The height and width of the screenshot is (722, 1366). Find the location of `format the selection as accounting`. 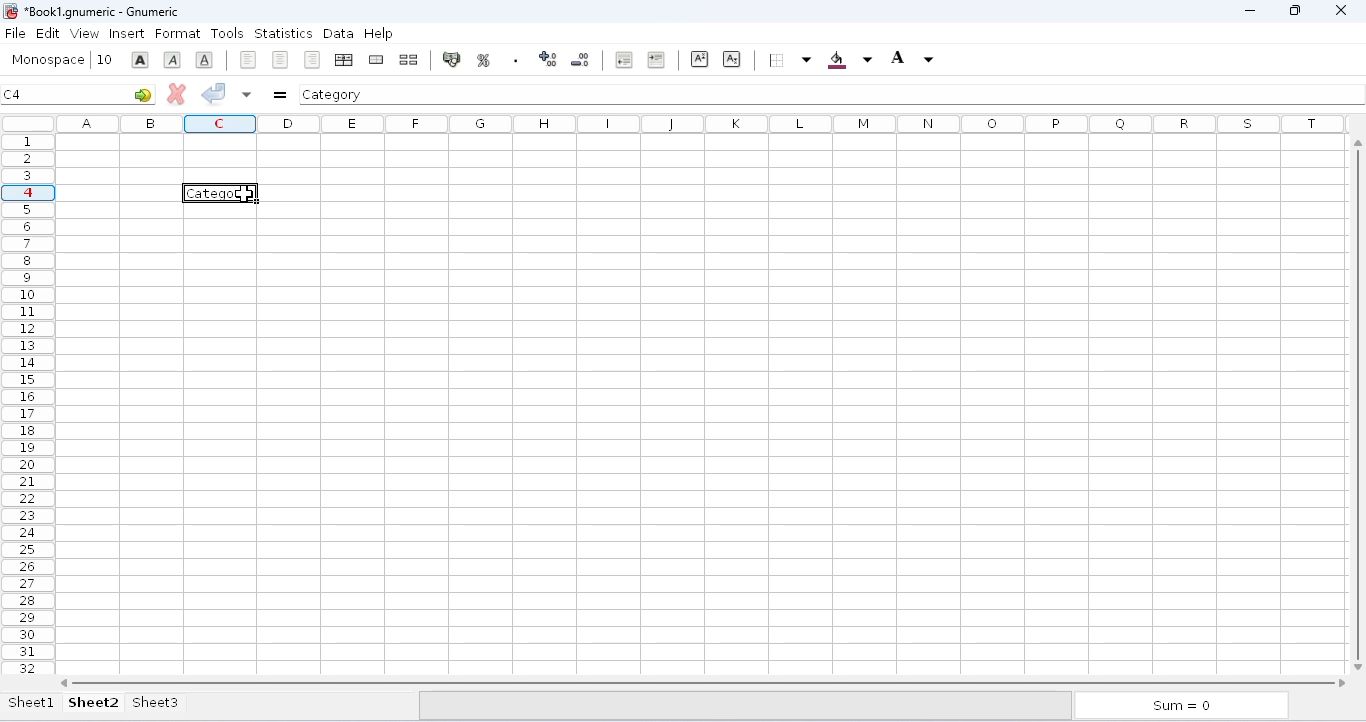

format the selection as accounting is located at coordinates (451, 59).